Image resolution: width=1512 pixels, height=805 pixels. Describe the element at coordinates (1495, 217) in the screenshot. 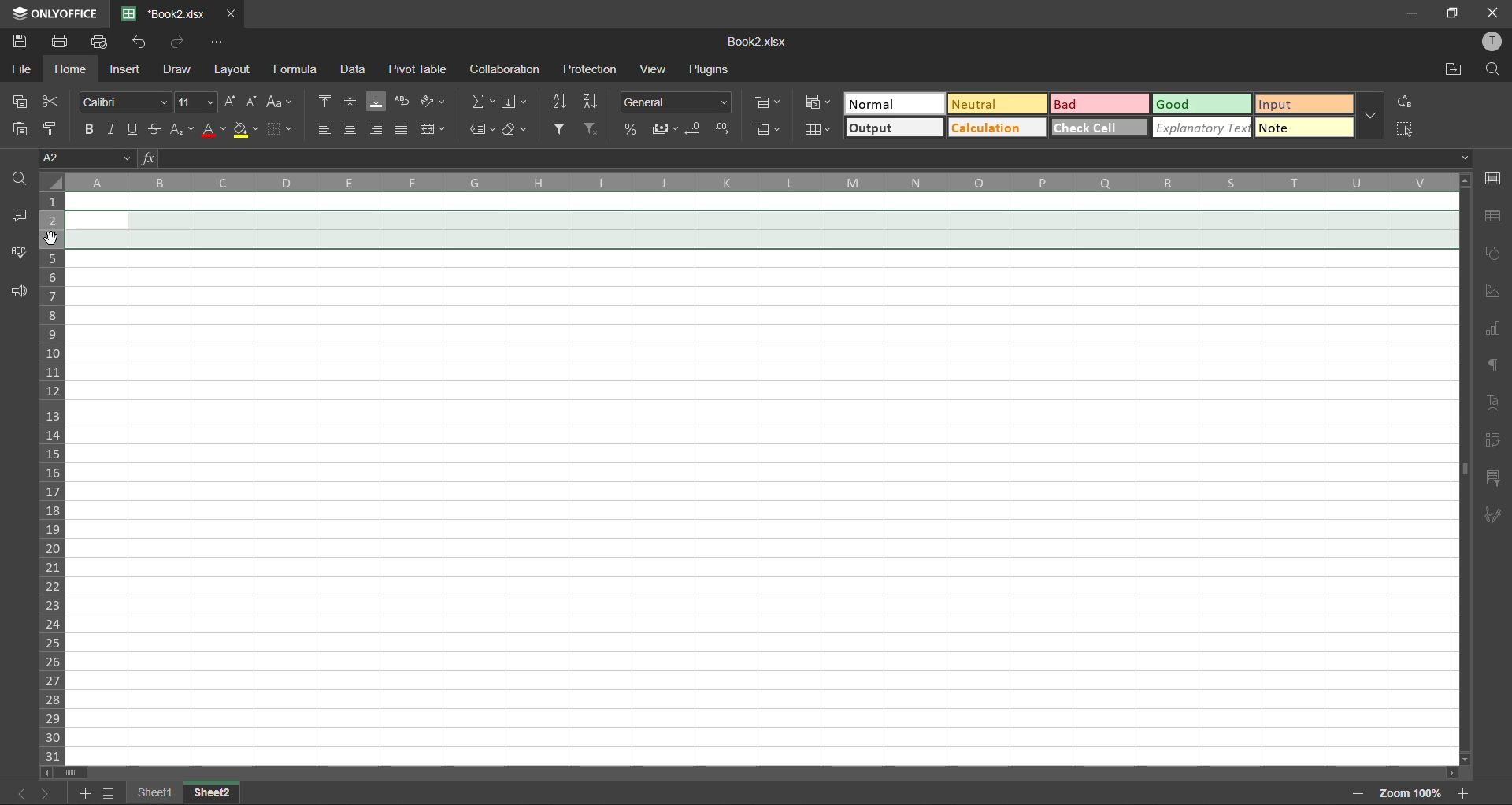

I see `table` at that location.